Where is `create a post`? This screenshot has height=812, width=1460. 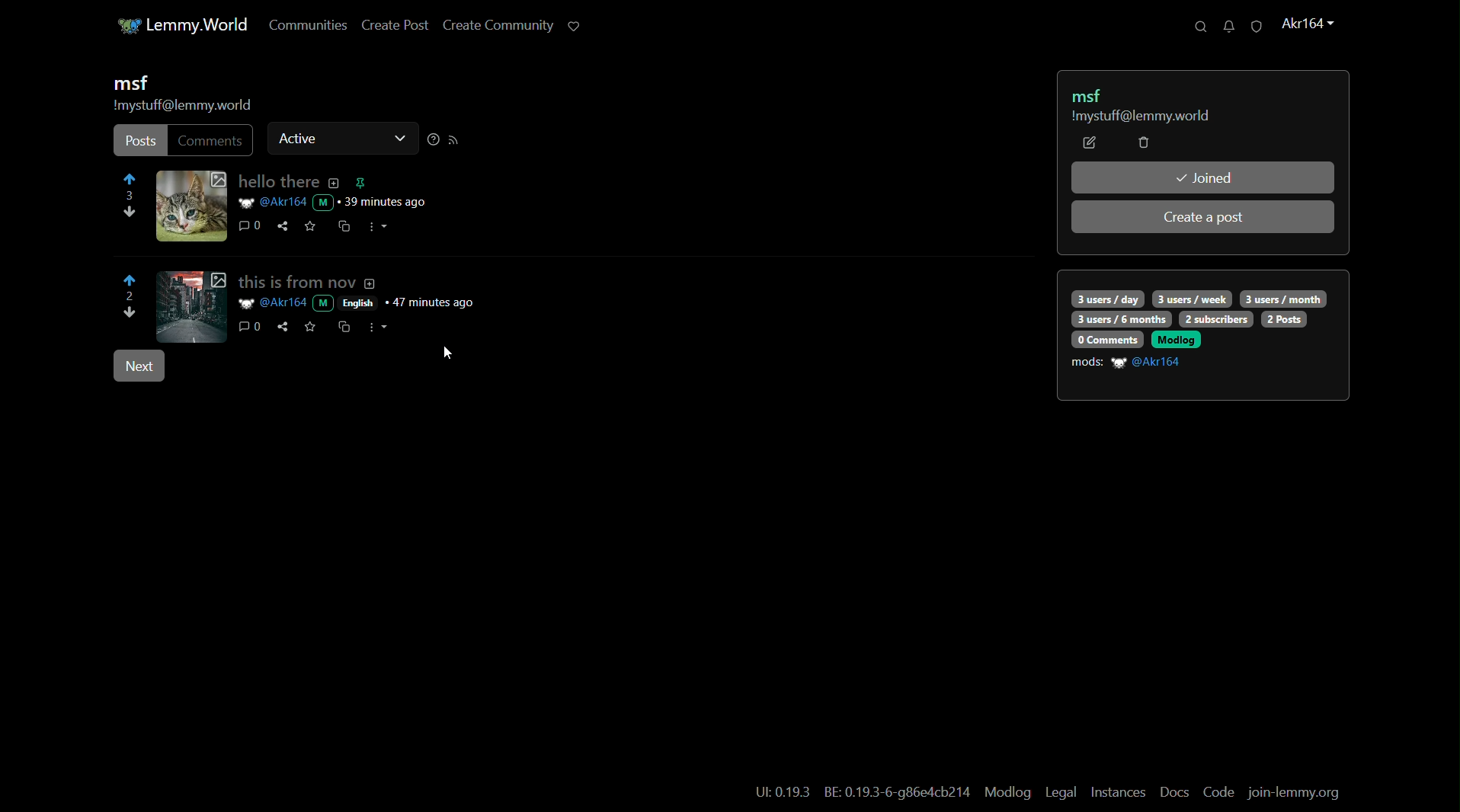
create a post is located at coordinates (1205, 218).